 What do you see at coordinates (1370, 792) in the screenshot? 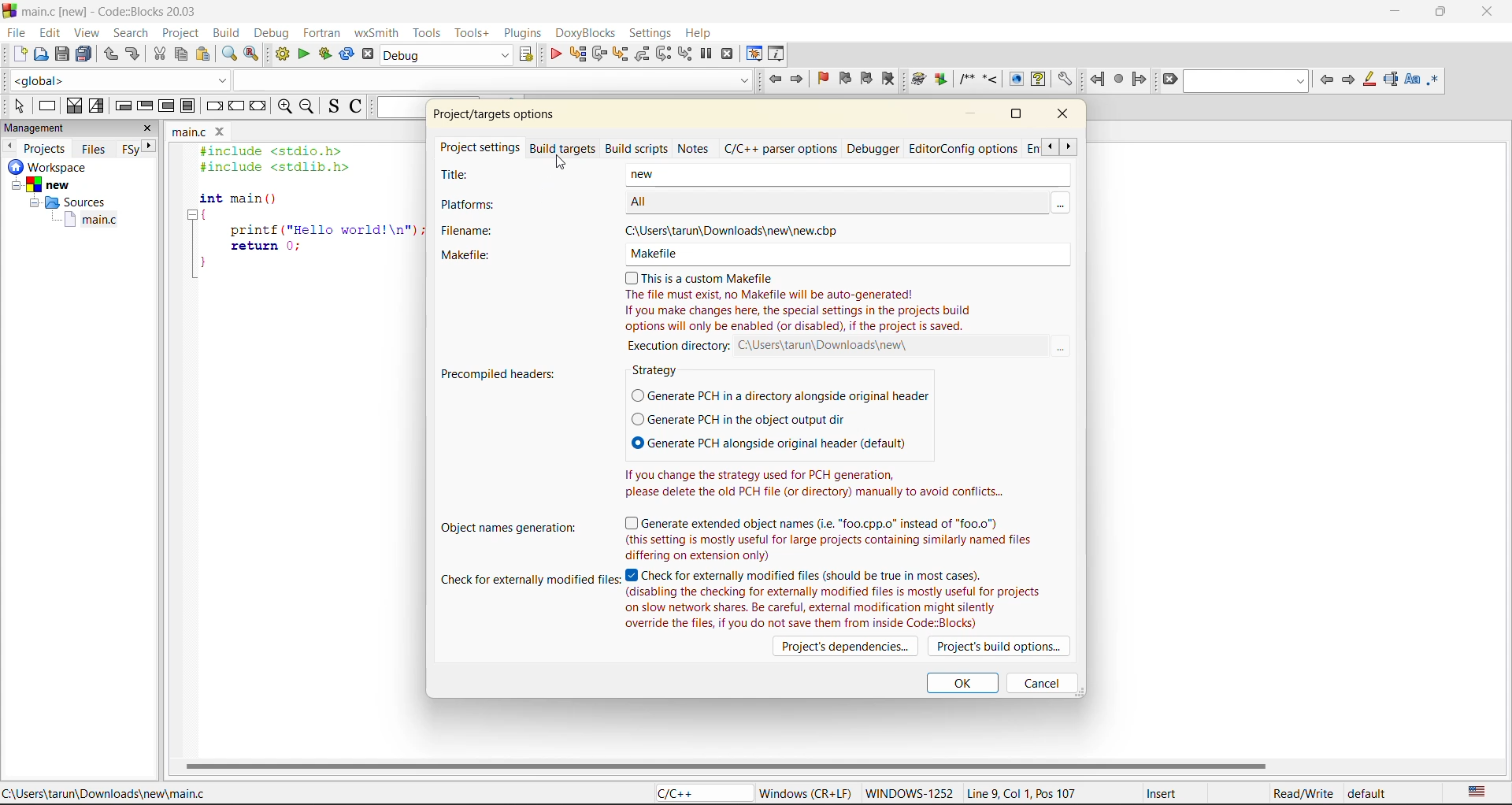
I see `default` at bounding box center [1370, 792].